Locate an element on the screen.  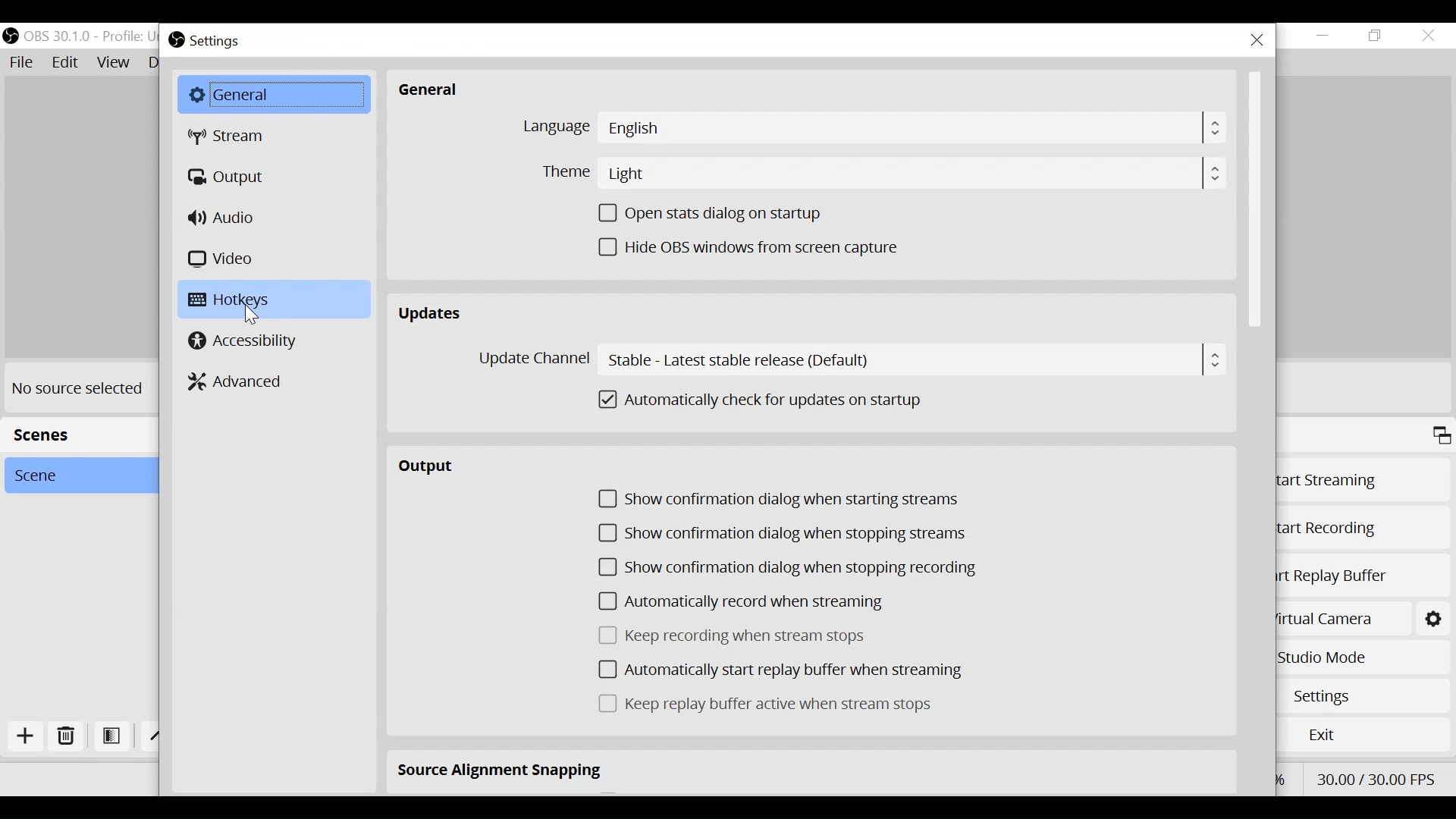
(un)check replay buffer active when stream stops is located at coordinates (767, 704).